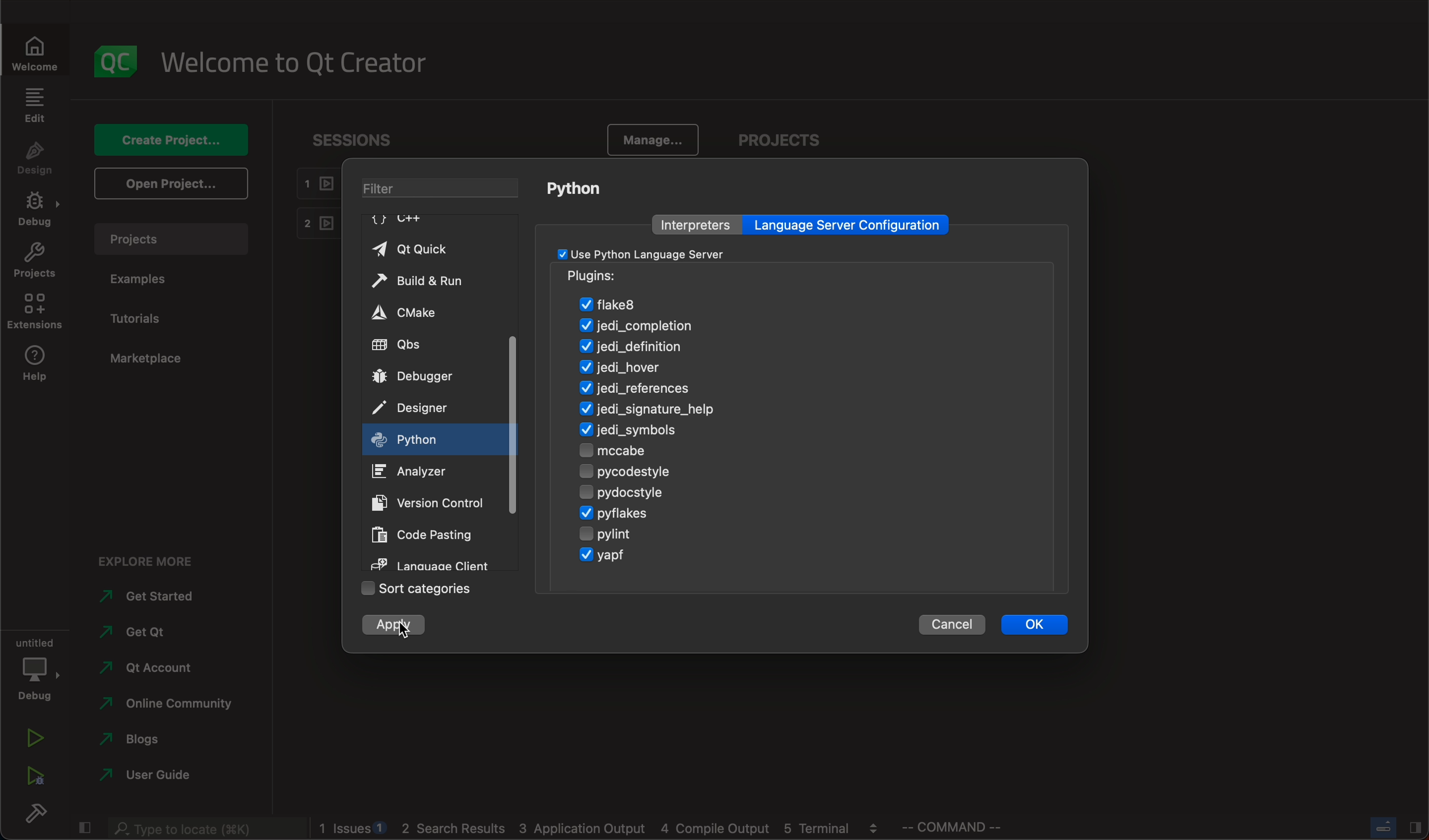 The image size is (1429, 840). I want to click on search bar, so click(204, 828).